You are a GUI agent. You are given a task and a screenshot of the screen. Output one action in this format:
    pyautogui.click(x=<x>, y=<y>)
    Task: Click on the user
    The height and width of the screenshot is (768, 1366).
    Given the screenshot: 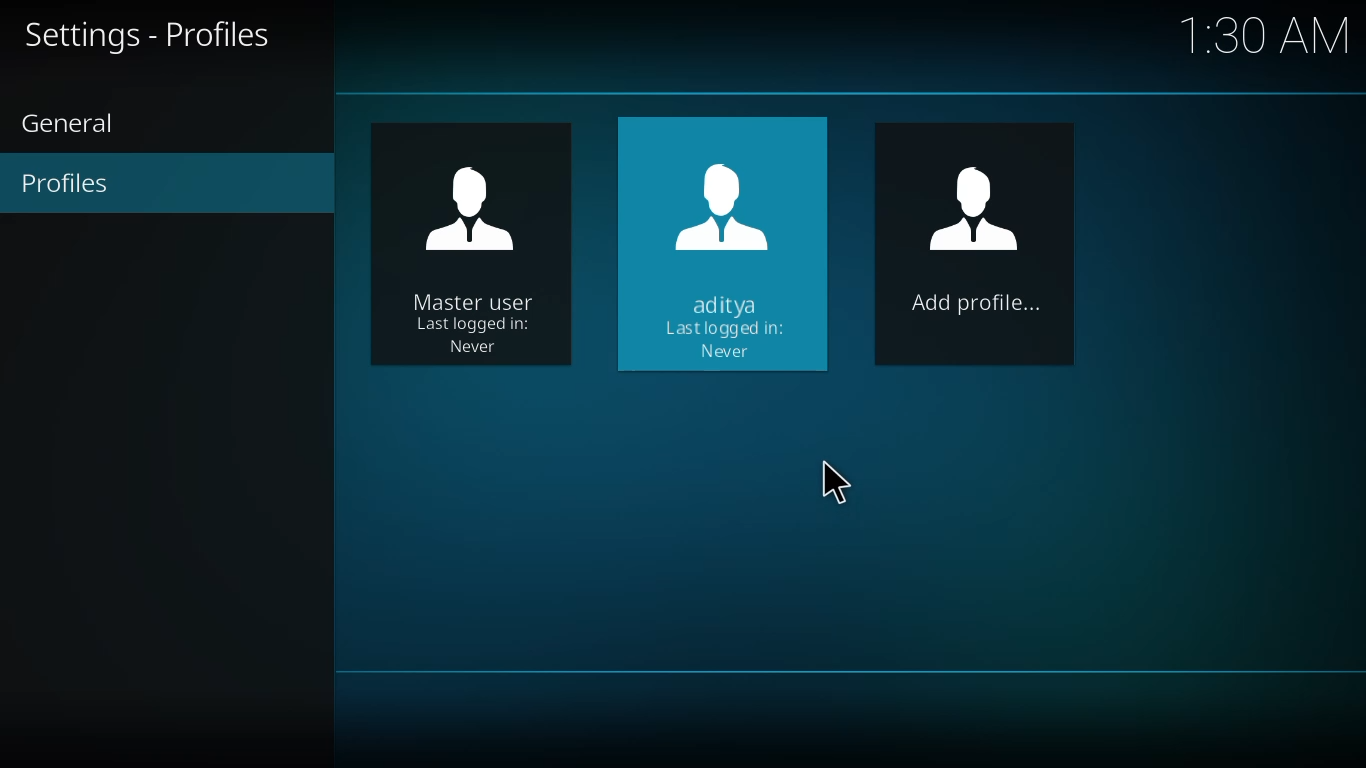 What is the action you would take?
    pyautogui.click(x=473, y=261)
    